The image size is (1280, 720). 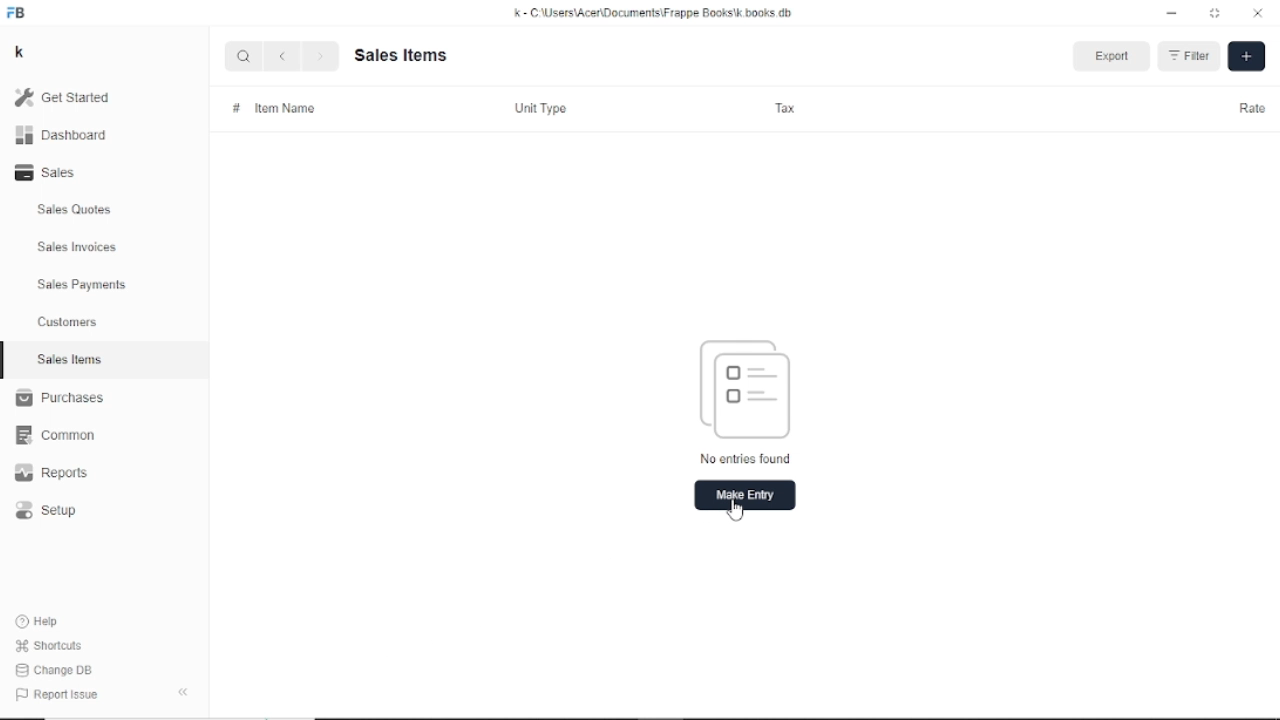 What do you see at coordinates (77, 248) in the screenshot?
I see `Sales Invoices` at bounding box center [77, 248].